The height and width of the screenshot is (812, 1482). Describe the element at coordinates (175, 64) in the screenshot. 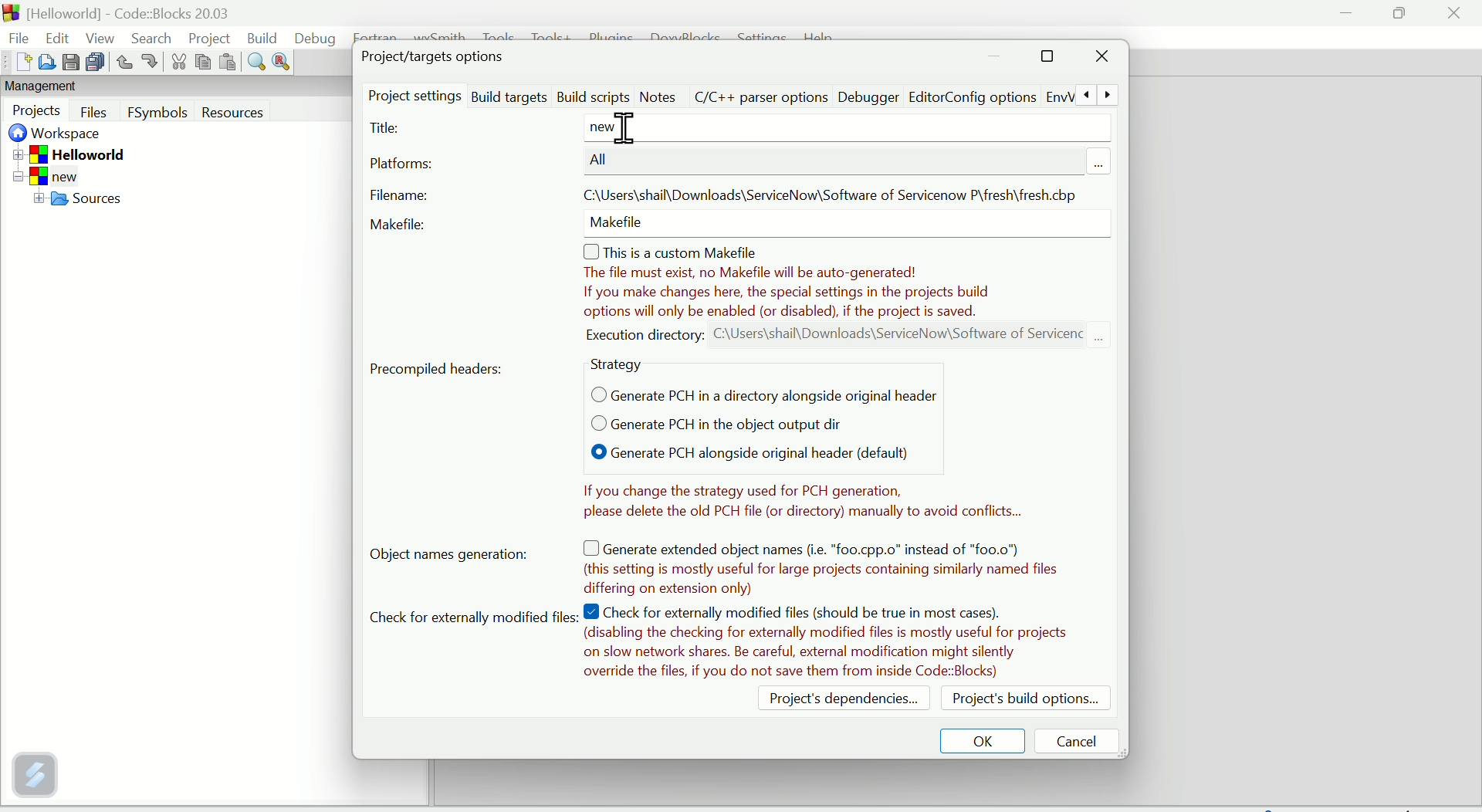

I see `Cut` at that location.